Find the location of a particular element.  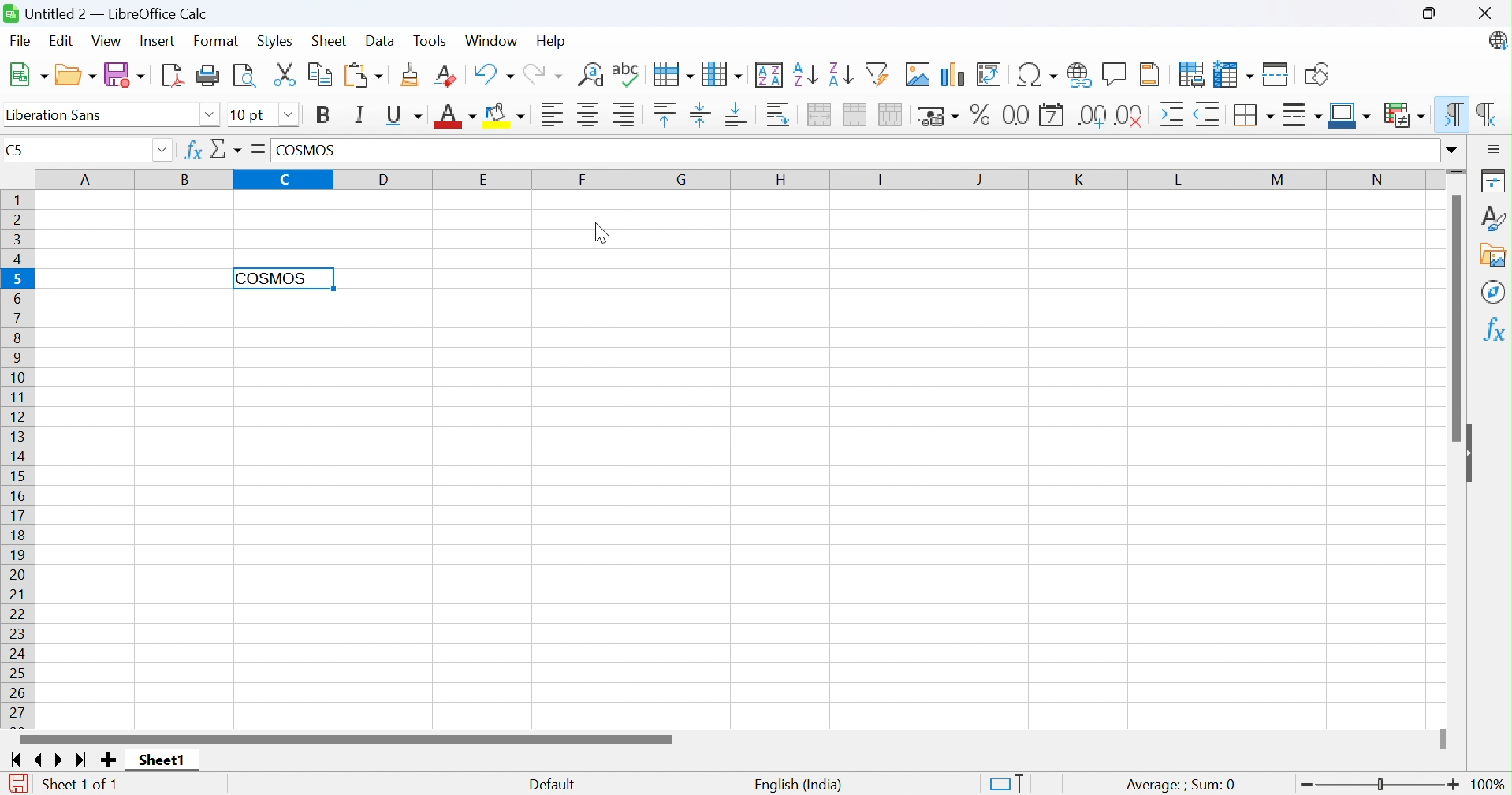

Standard selection. Click to change selection mode. is located at coordinates (1007, 783).